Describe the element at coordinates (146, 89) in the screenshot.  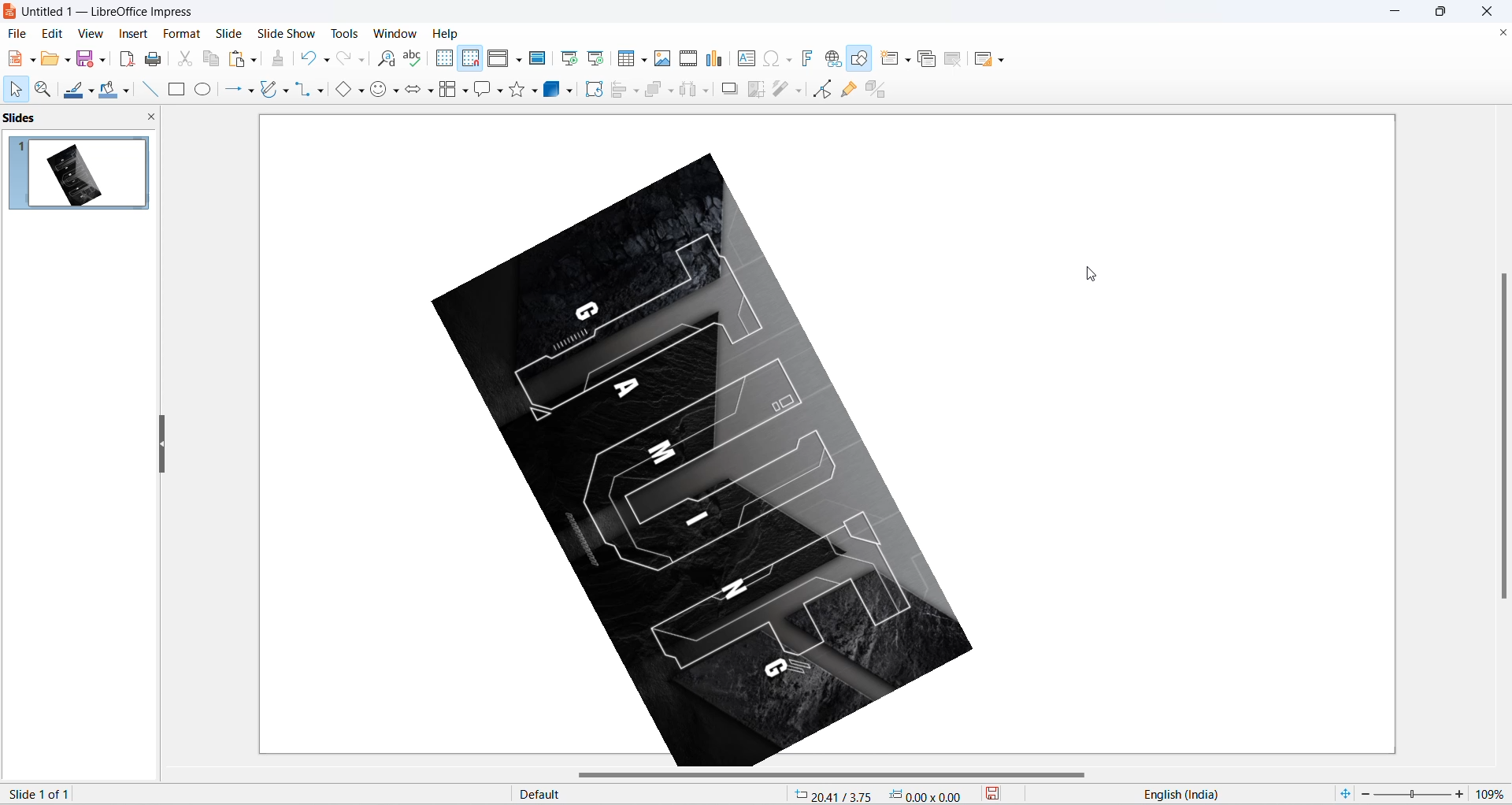
I see `line` at that location.